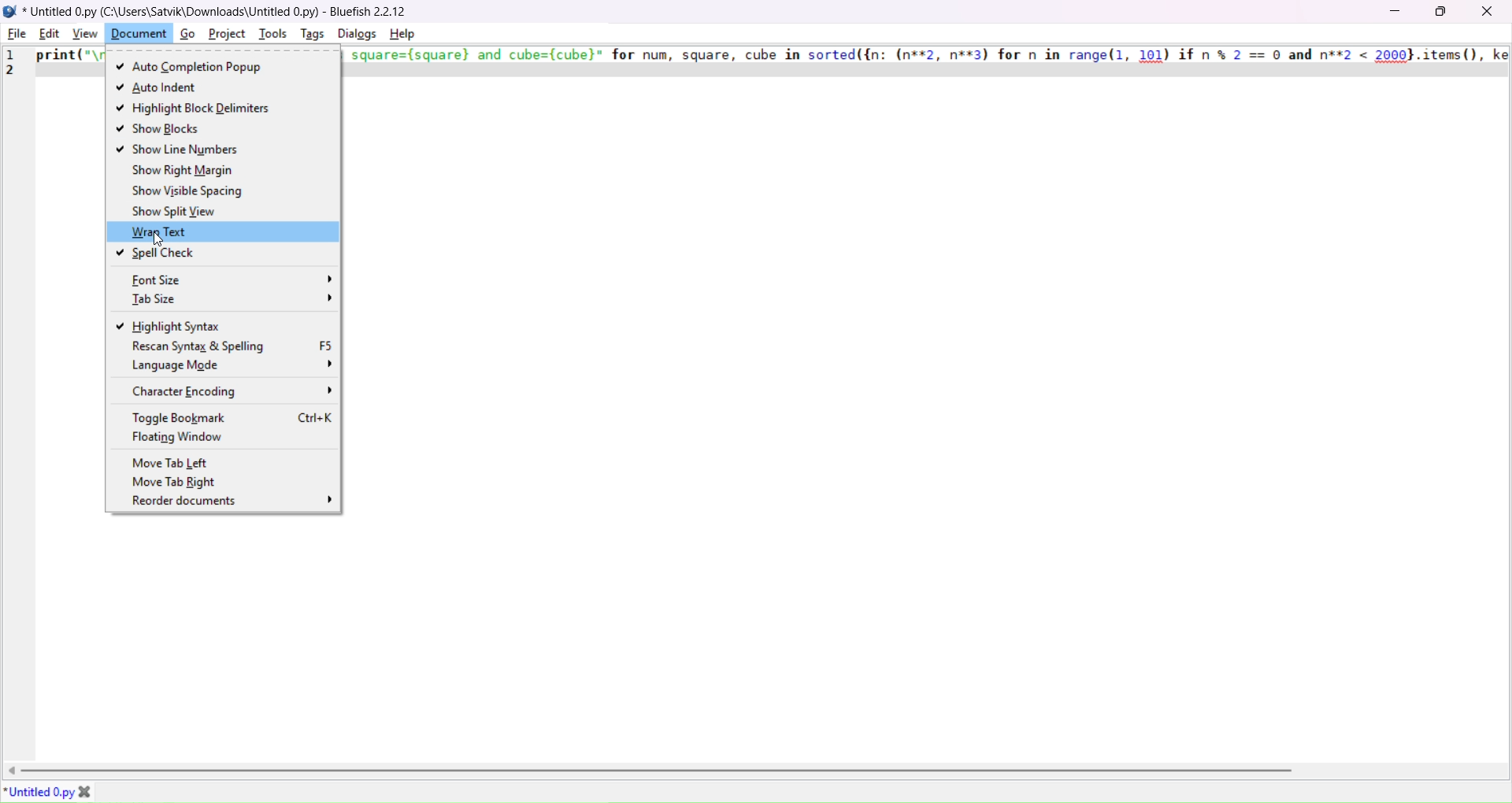 Image resolution: width=1512 pixels, height=803 pixels. I want to click on go, so click(187, 33).